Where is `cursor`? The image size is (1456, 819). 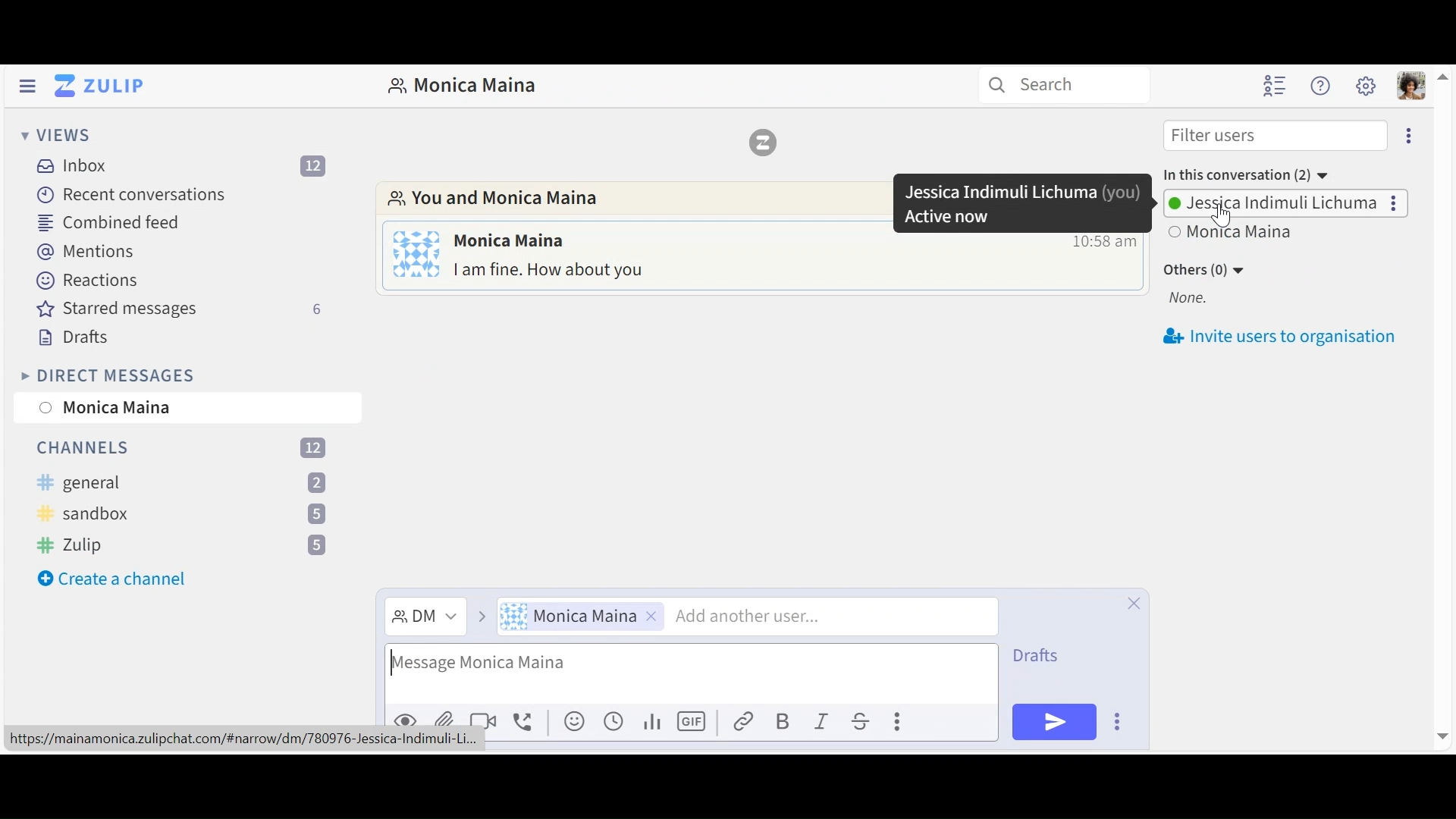 cursor is located at coordinates (1228, 217).